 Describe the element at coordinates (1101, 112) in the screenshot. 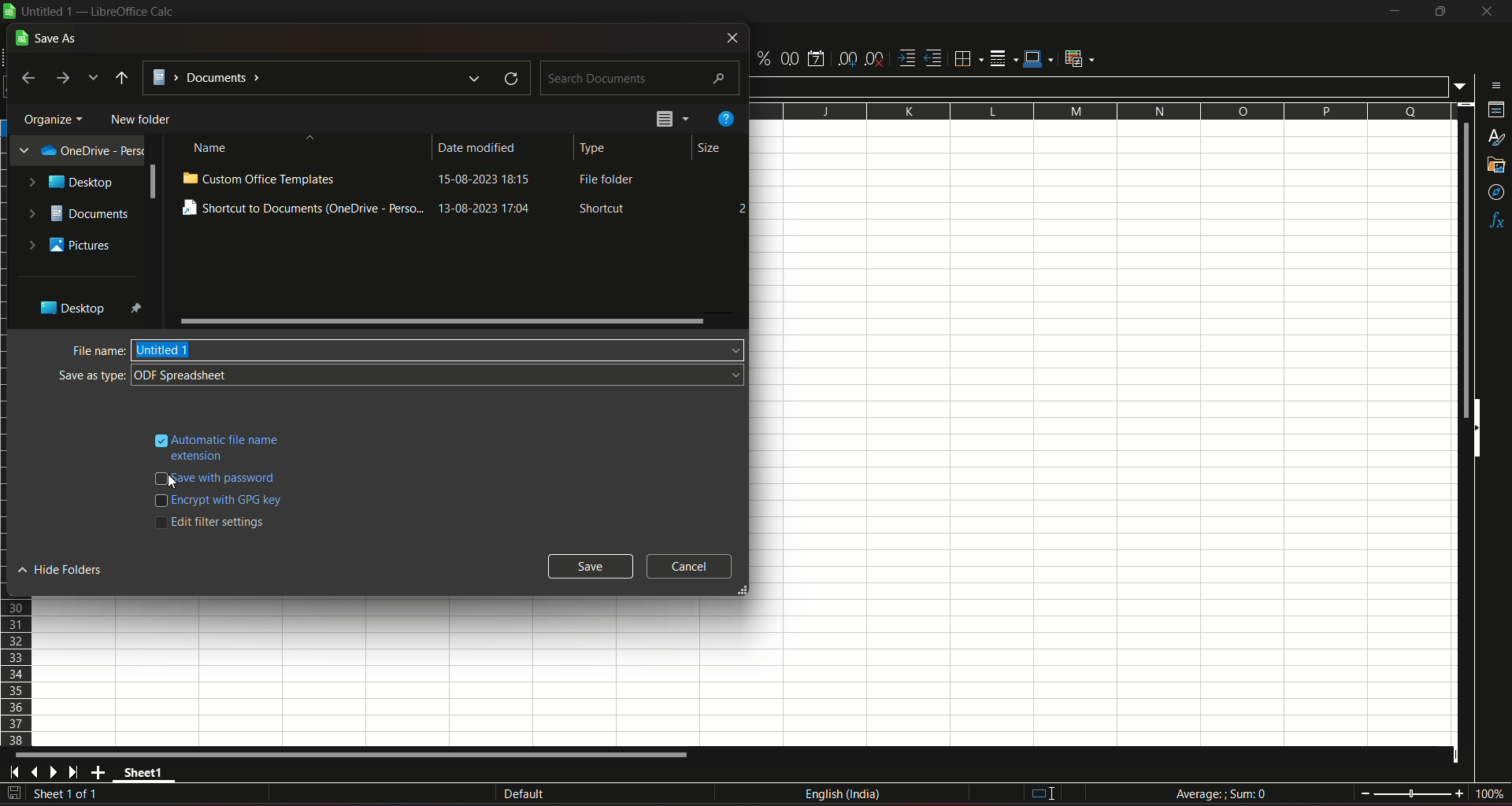

I see `columns` at that location.